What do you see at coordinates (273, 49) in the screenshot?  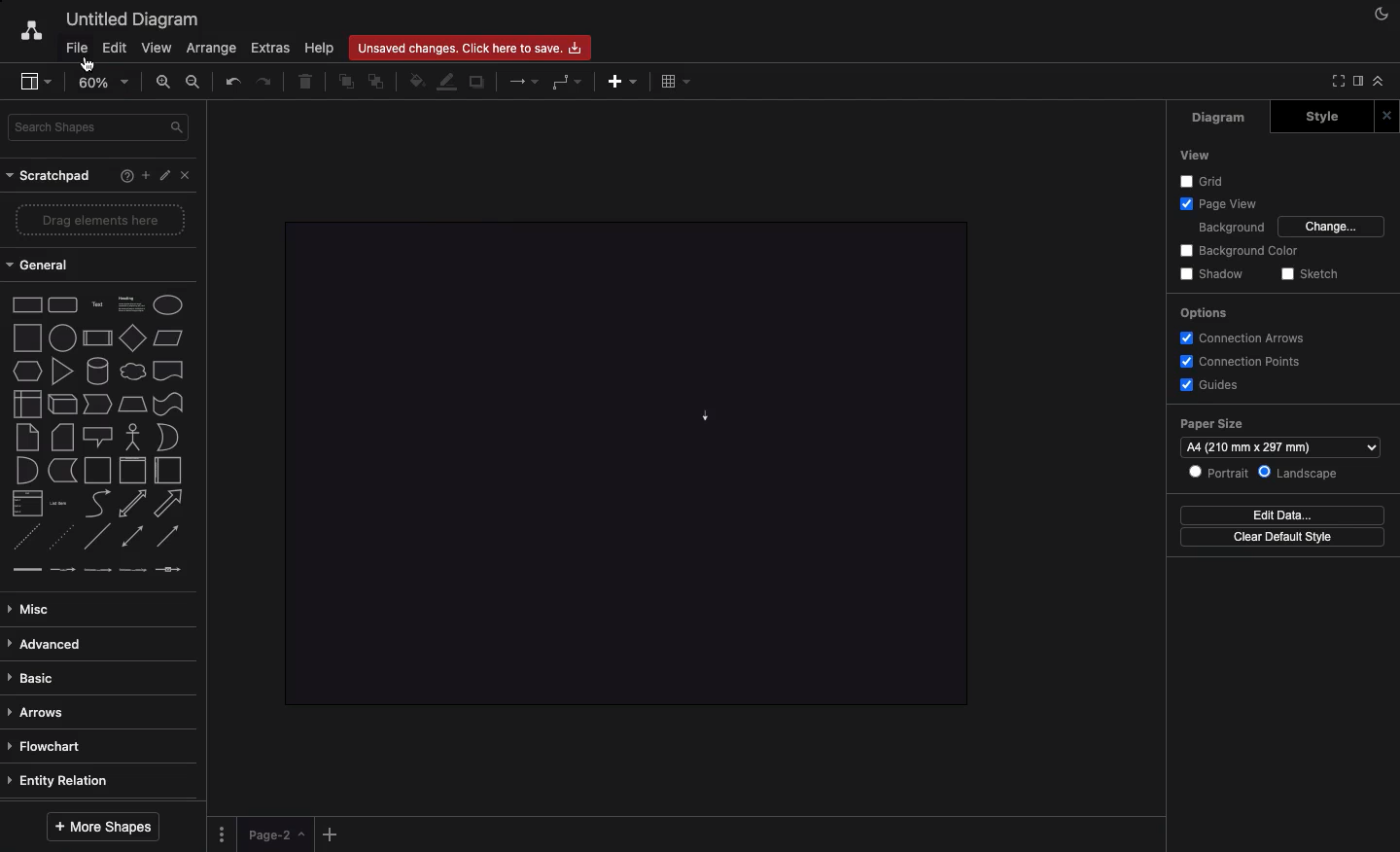 I see `Extras` at bounding box center [273, 49].